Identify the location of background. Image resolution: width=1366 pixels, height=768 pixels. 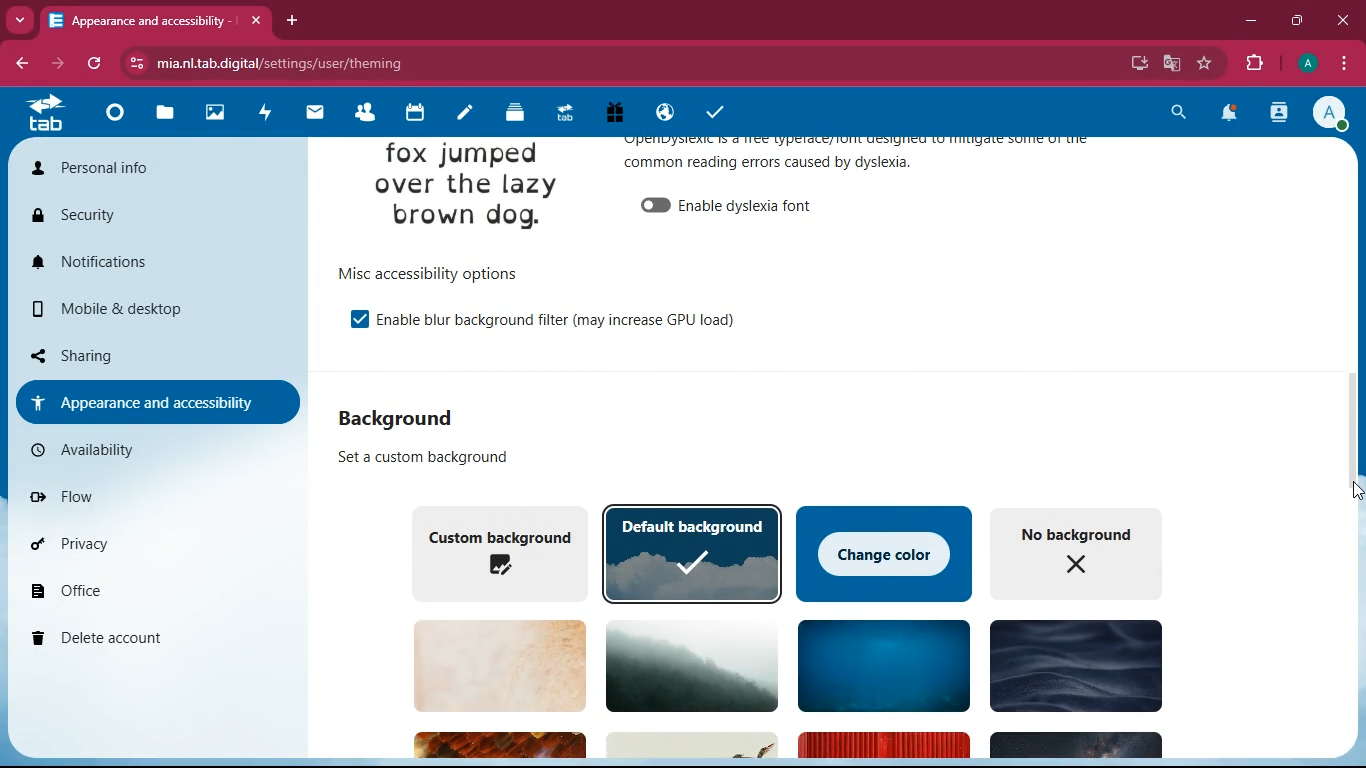
(689, 663).